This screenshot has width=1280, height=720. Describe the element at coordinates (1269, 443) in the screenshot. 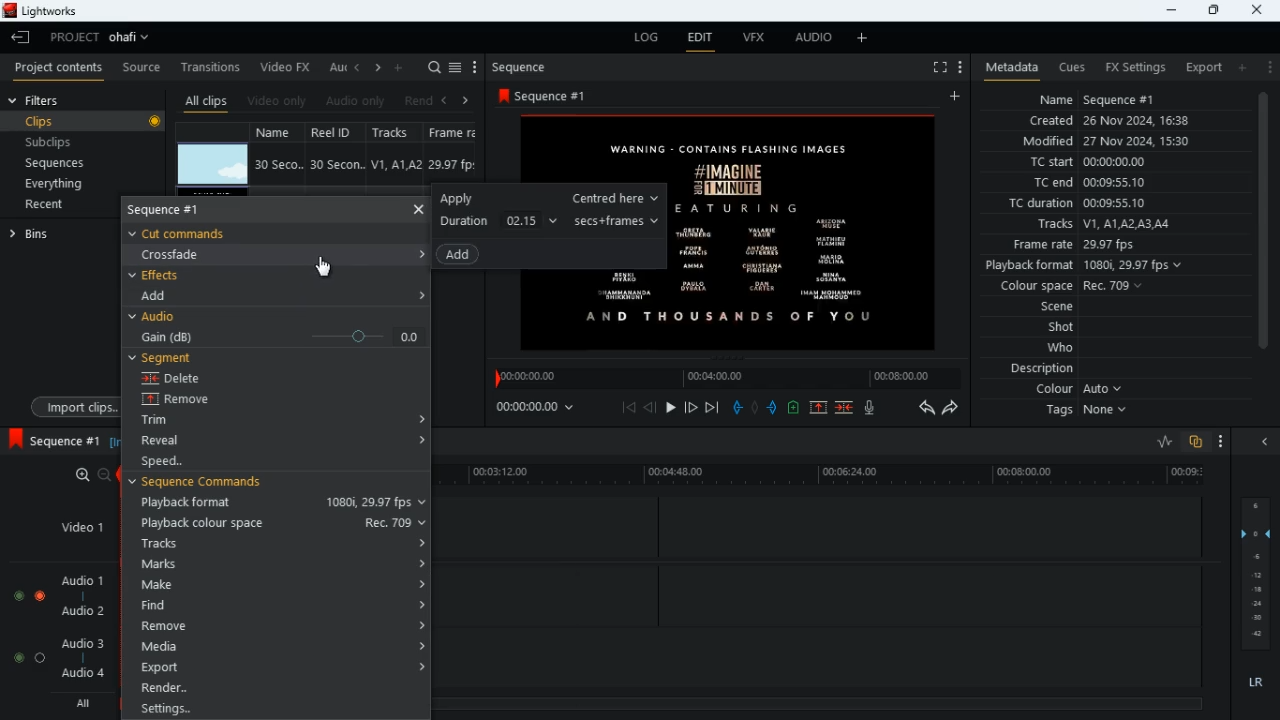

I see `close` at that location.